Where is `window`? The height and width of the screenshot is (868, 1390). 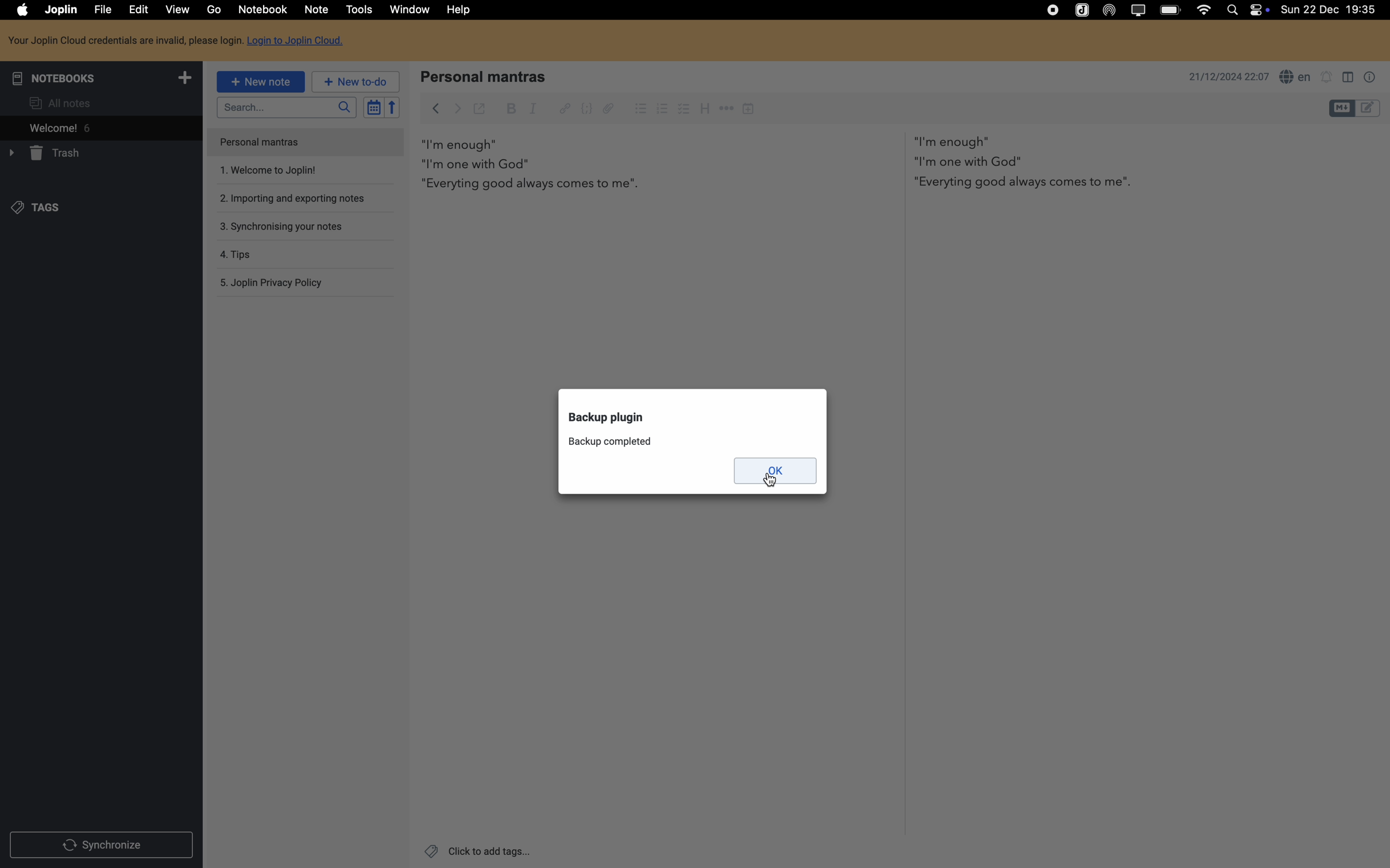 window is located at coordinates (404, 11).